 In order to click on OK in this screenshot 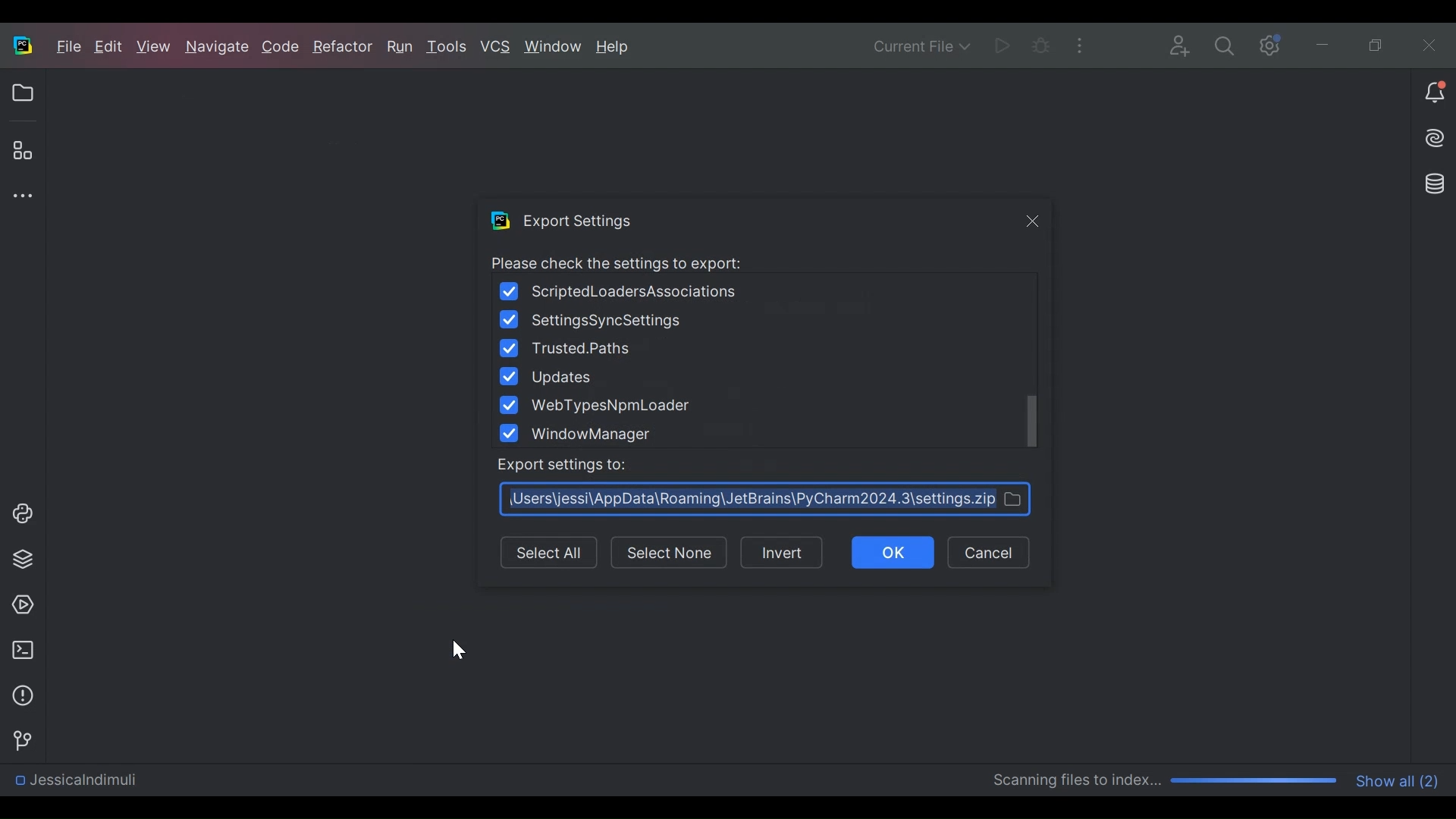, I will do `click(896, 553)`.